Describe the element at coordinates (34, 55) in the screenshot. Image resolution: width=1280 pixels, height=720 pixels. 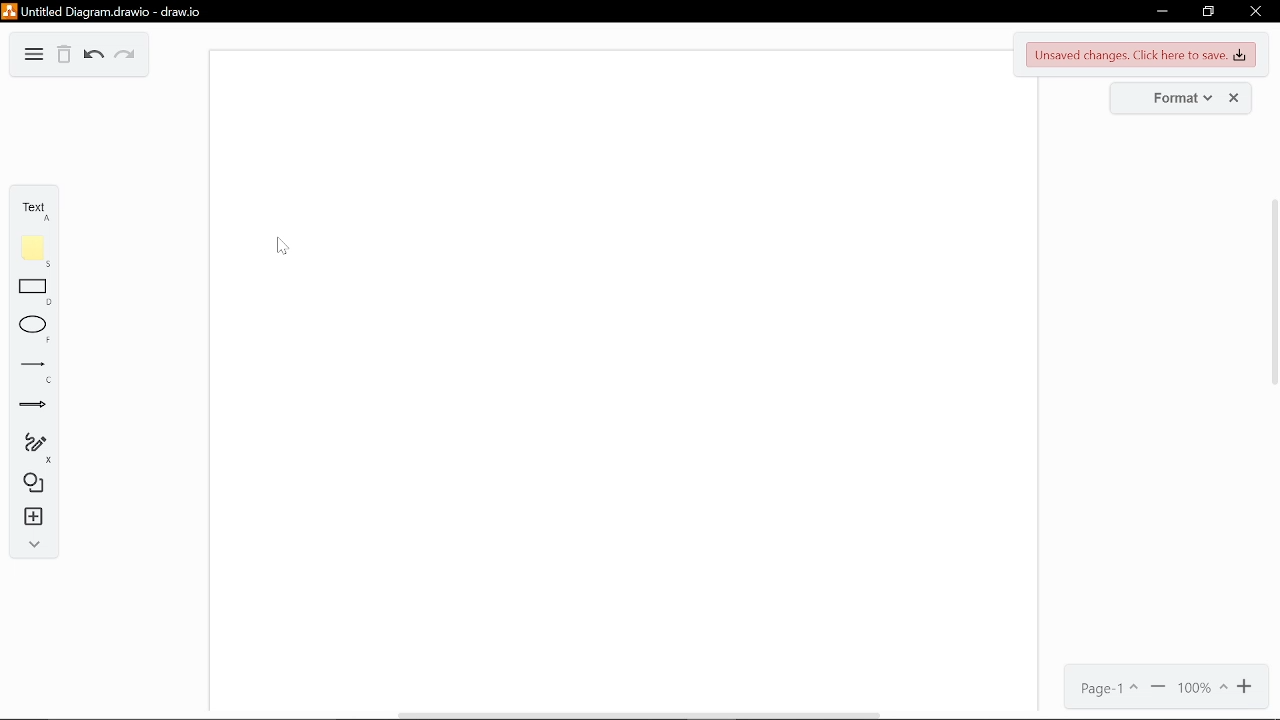
I see `diagram` at that location.